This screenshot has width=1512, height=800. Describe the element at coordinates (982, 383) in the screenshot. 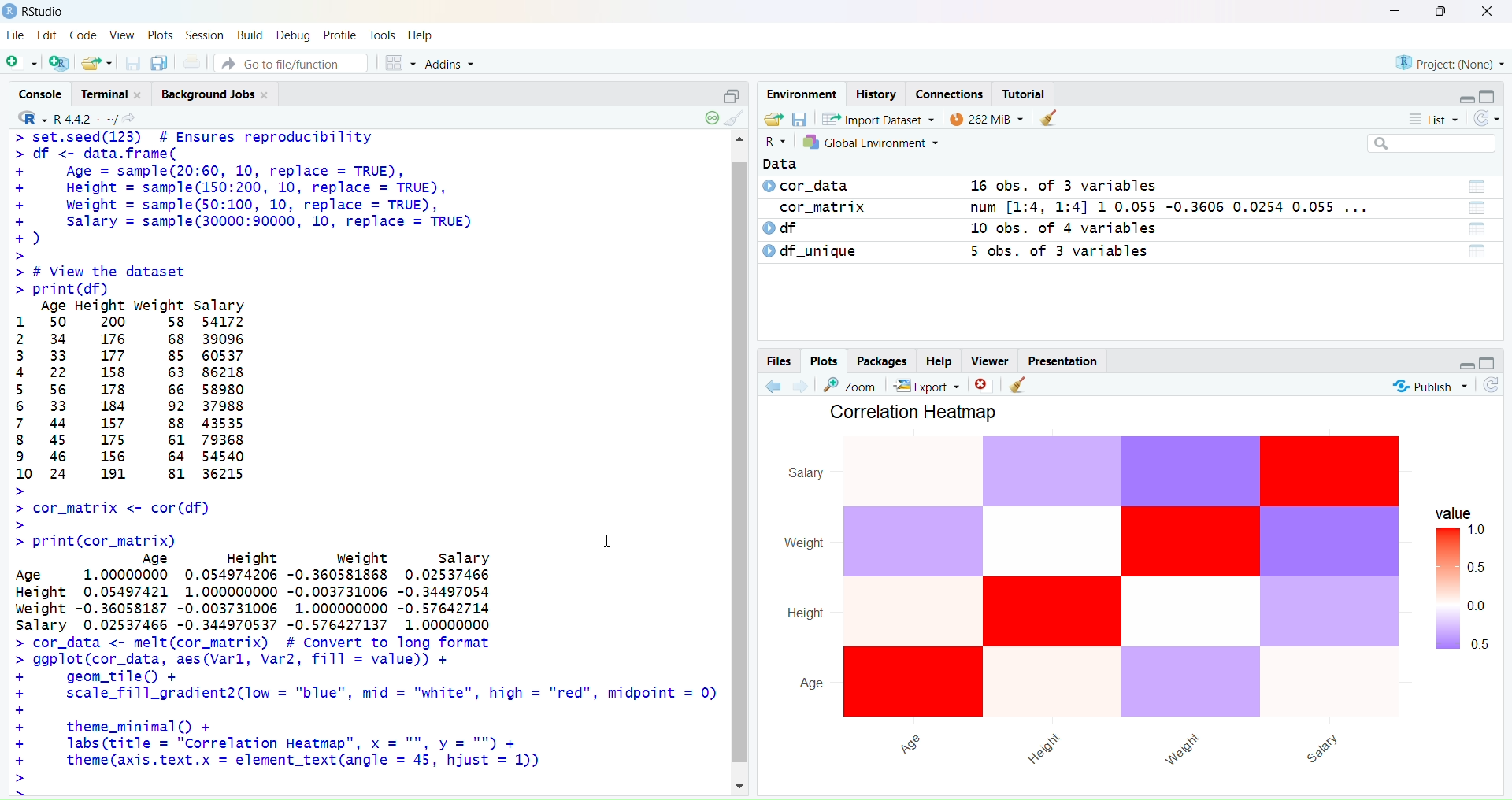

I see `Close` at that location.